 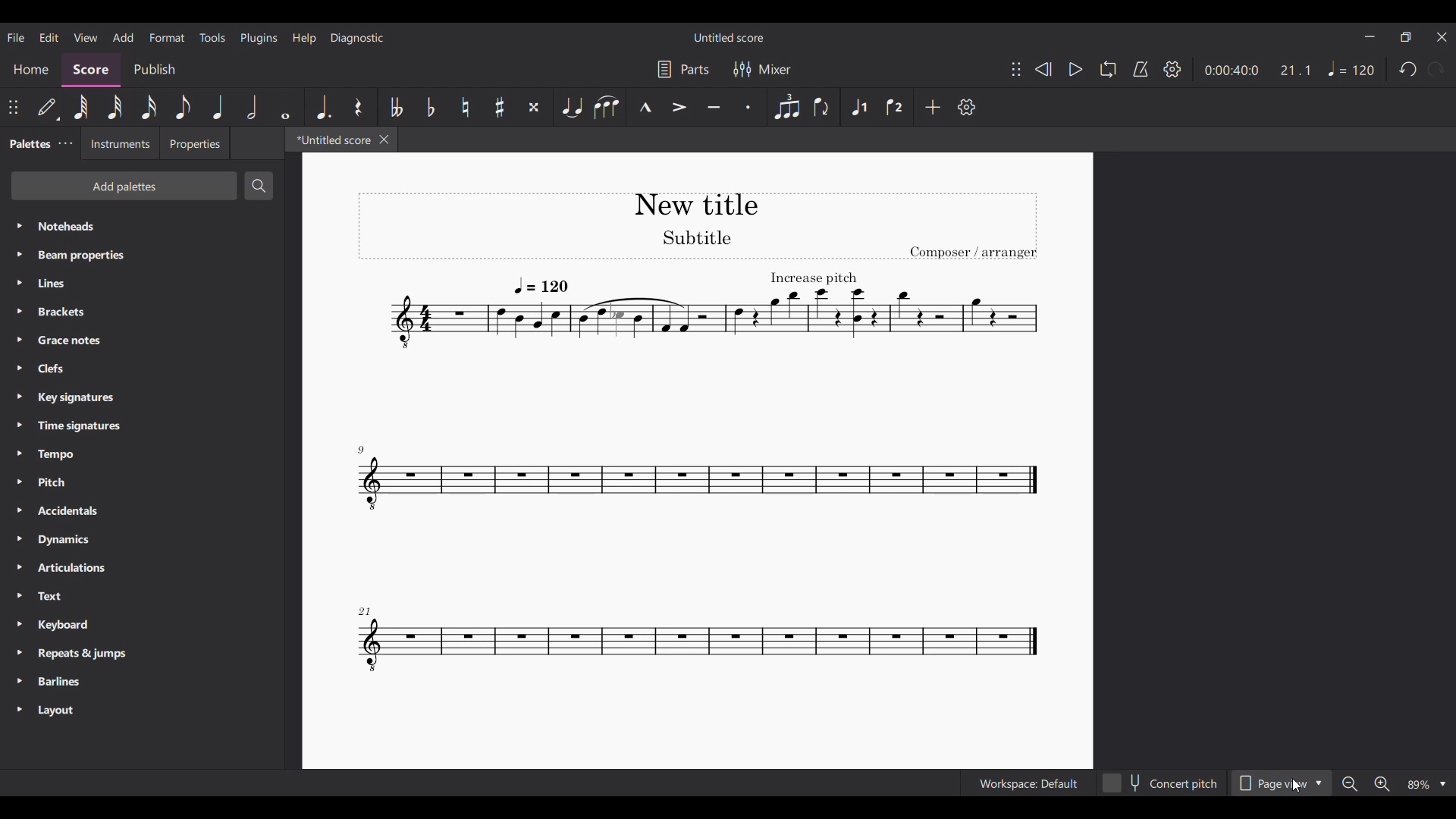 What do you see at coordinates (49, 36) in the screenshot?
I see `Edit menu` at bounding box center [49, 36].